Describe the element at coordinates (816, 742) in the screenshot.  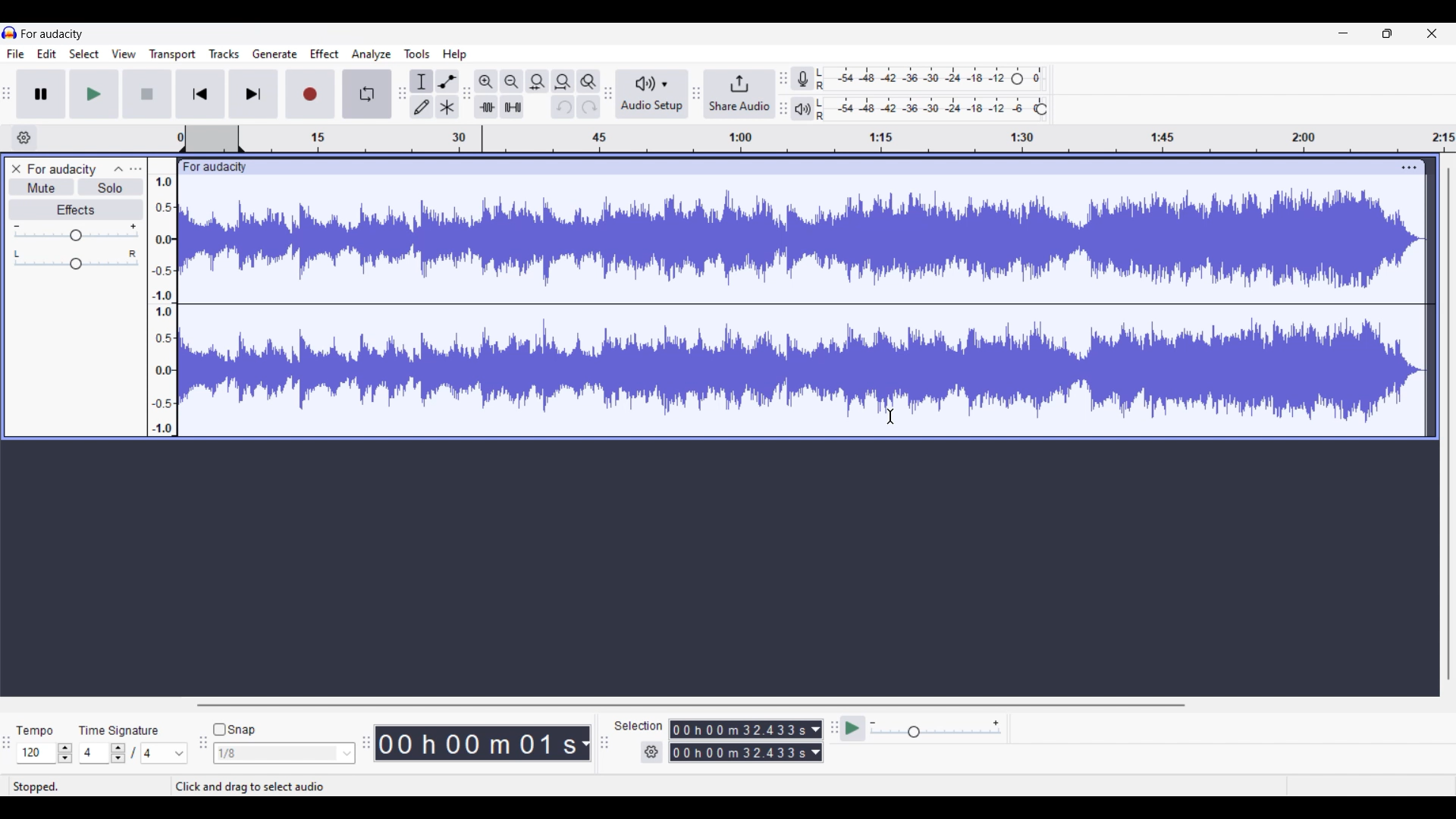
I see `Duration measurement` at that location.